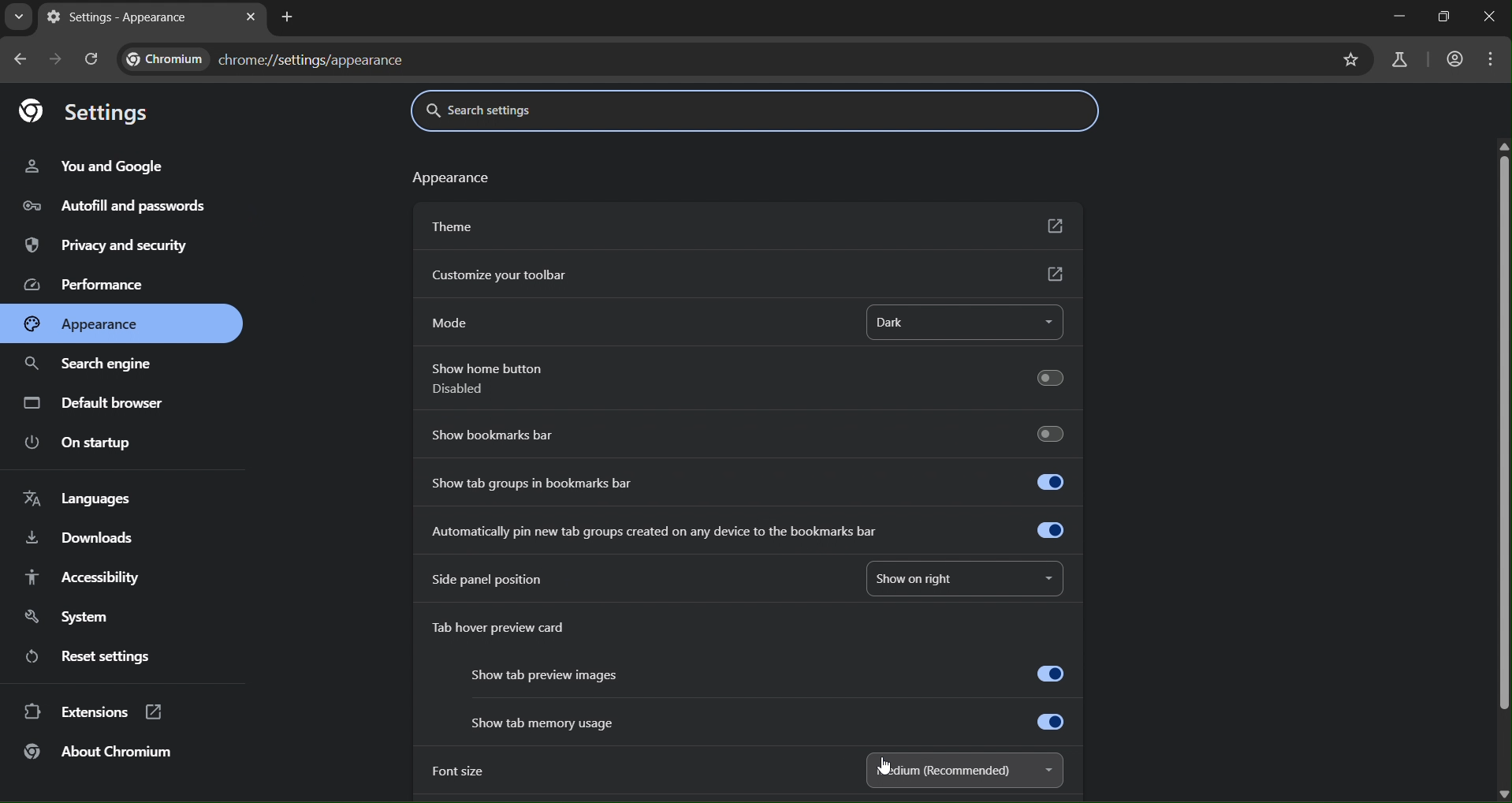 Image resolution: width=1512 pixels, height=803 pixels. What do you see at coordinates (553, 109) in the screenshot?
I see `search settings` at bounding box center [553, 109].